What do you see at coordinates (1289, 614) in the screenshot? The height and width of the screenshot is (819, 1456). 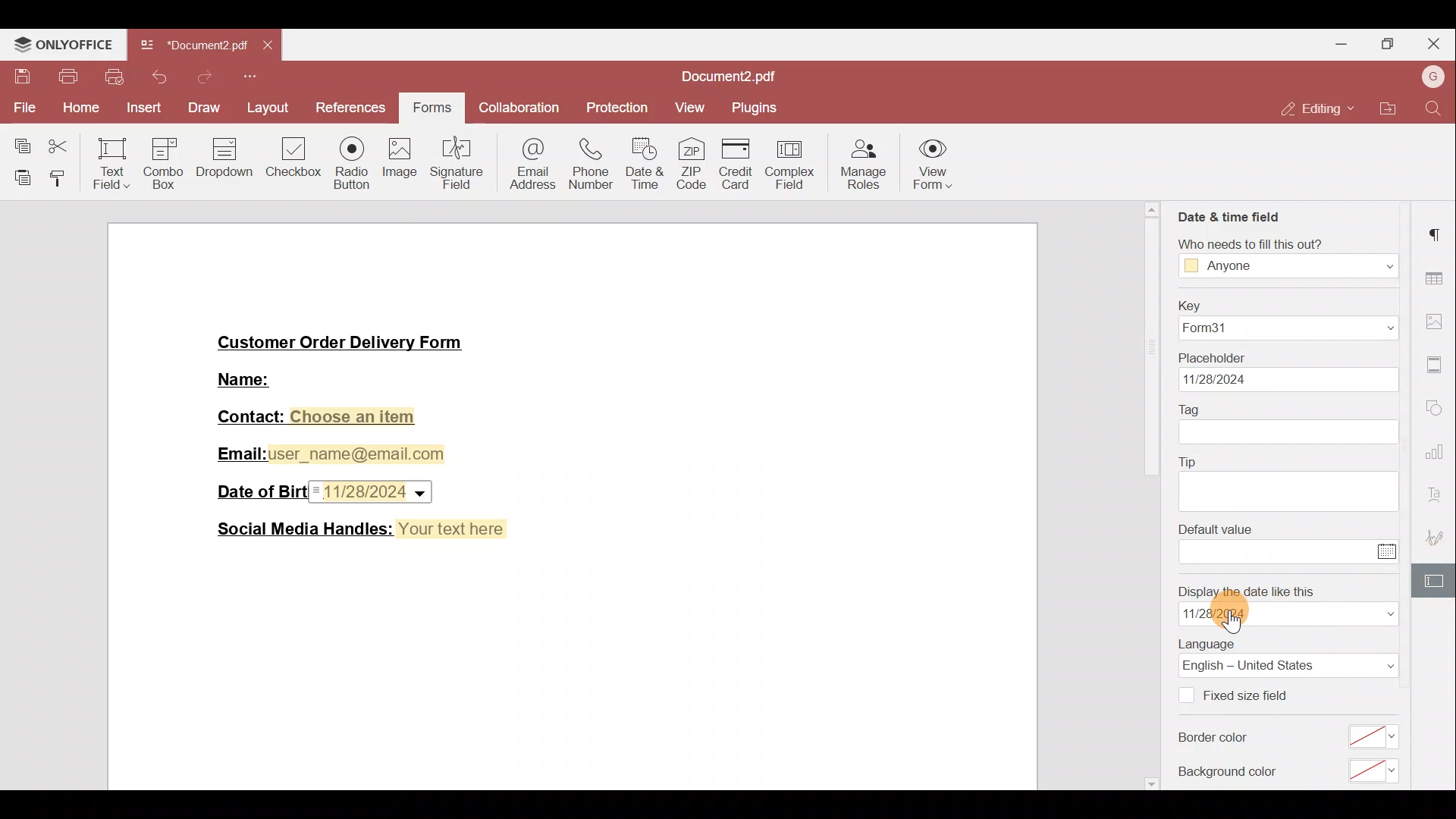 I see `date format` at bounding box center [1289, 614].